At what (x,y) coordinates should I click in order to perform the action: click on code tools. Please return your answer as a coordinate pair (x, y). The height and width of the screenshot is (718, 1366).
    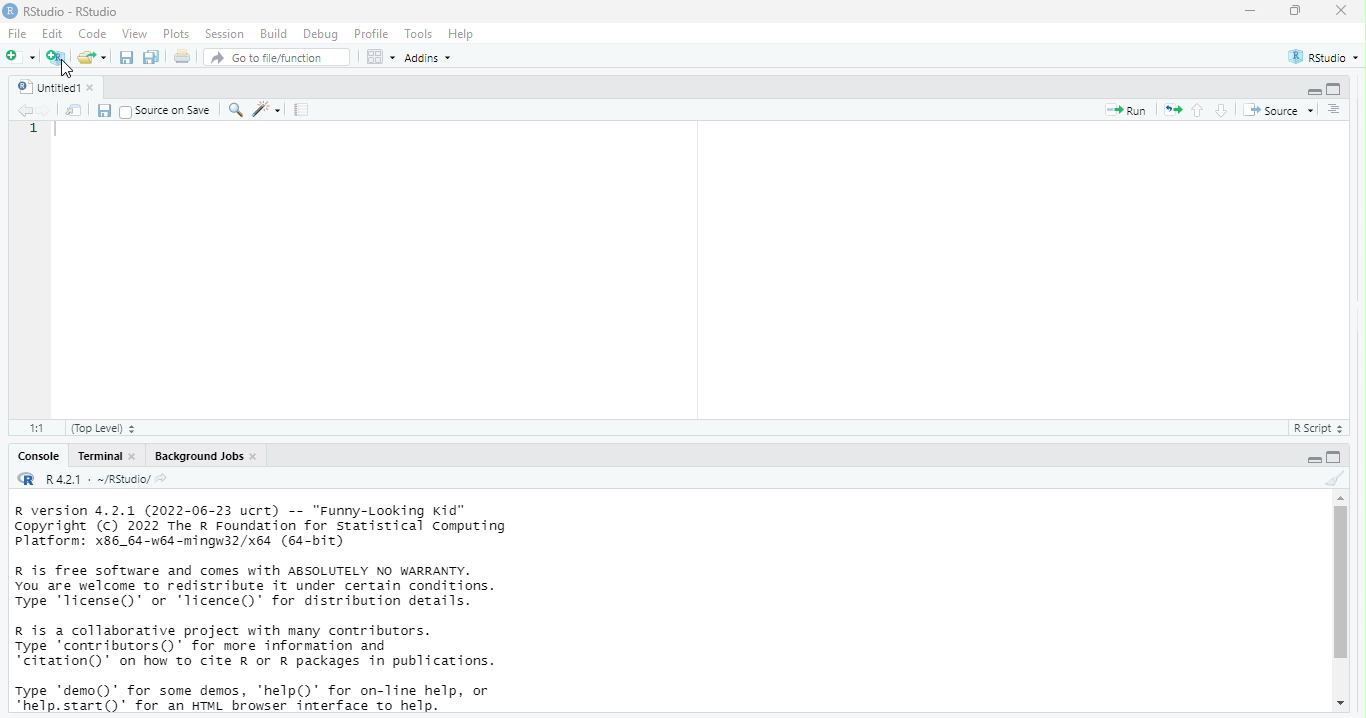
    Looking at the image, I should click on (266, 110).